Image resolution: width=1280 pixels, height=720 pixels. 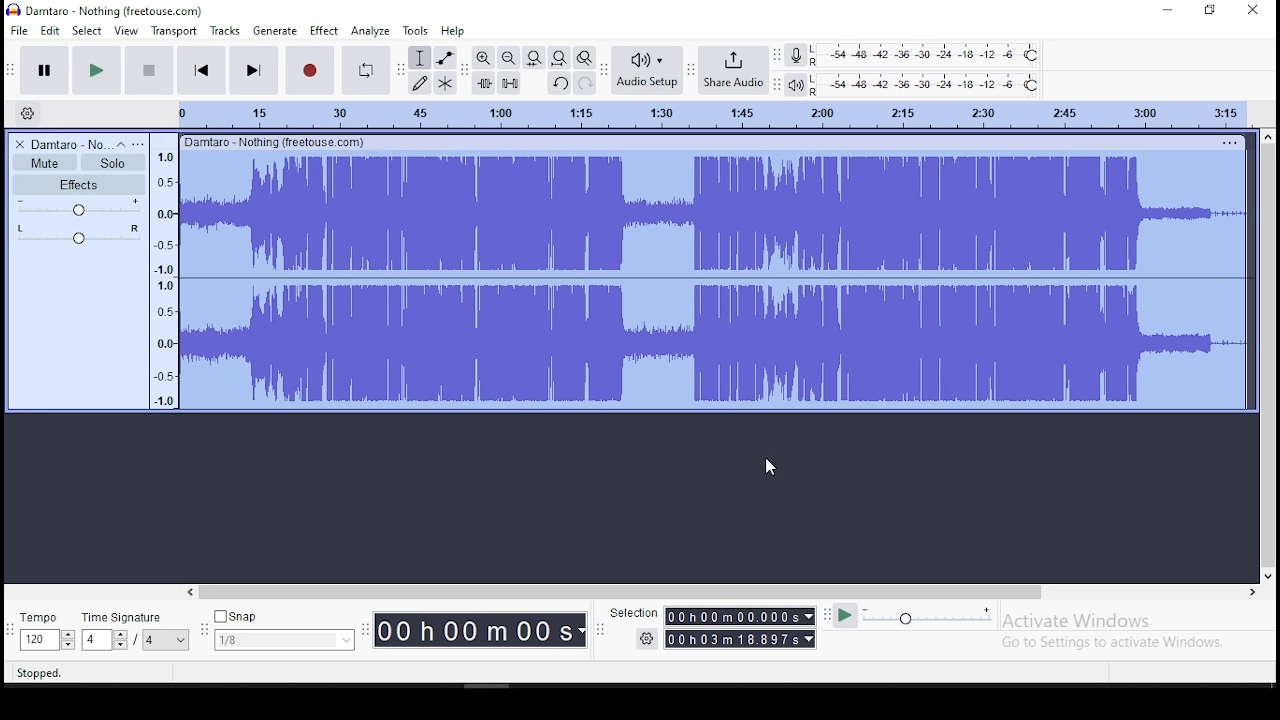 I want to click on zoom toggle, so click(x=584, y=57).